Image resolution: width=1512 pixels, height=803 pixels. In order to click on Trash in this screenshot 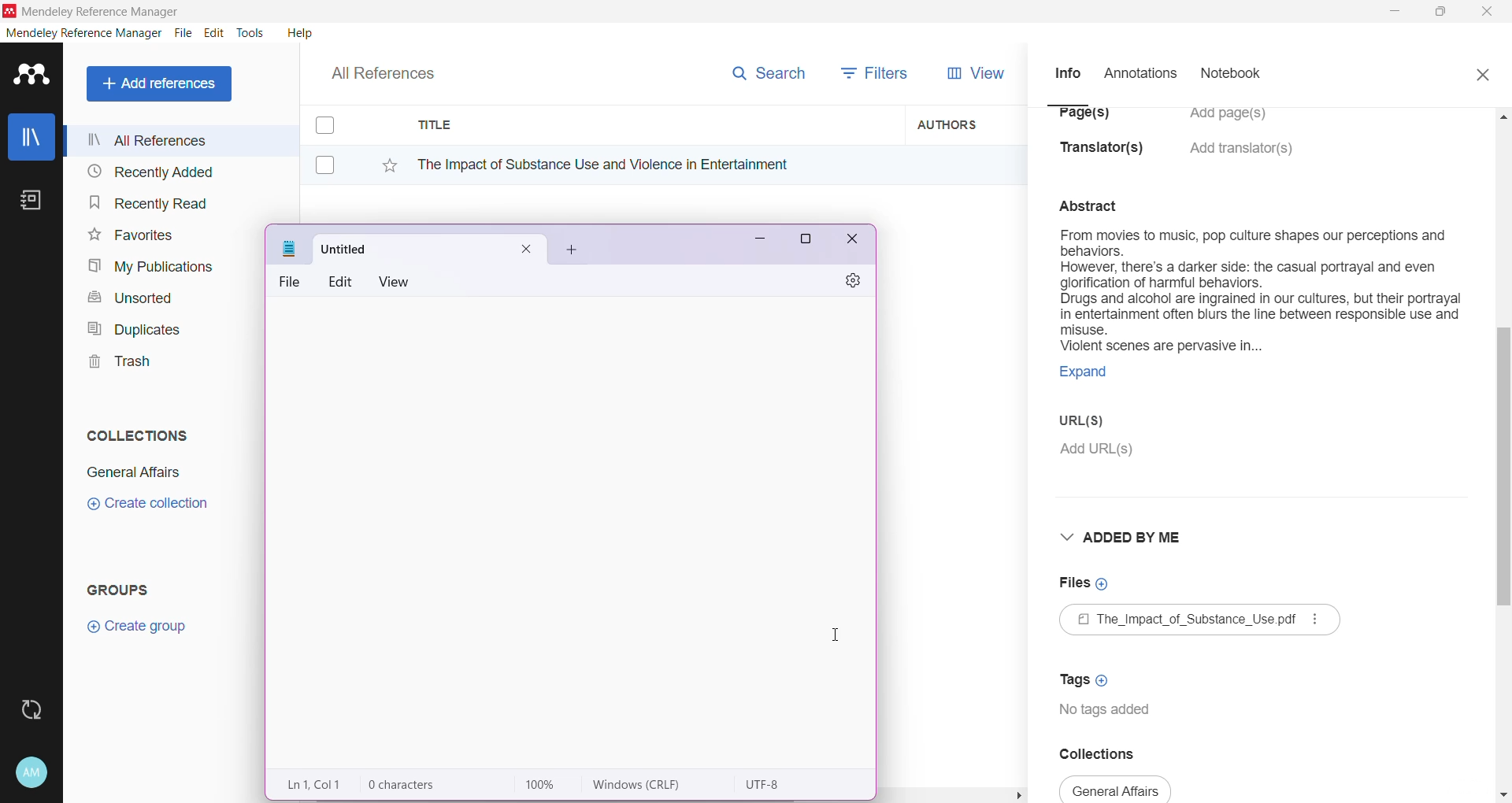, I will do `click(115, 364)`.